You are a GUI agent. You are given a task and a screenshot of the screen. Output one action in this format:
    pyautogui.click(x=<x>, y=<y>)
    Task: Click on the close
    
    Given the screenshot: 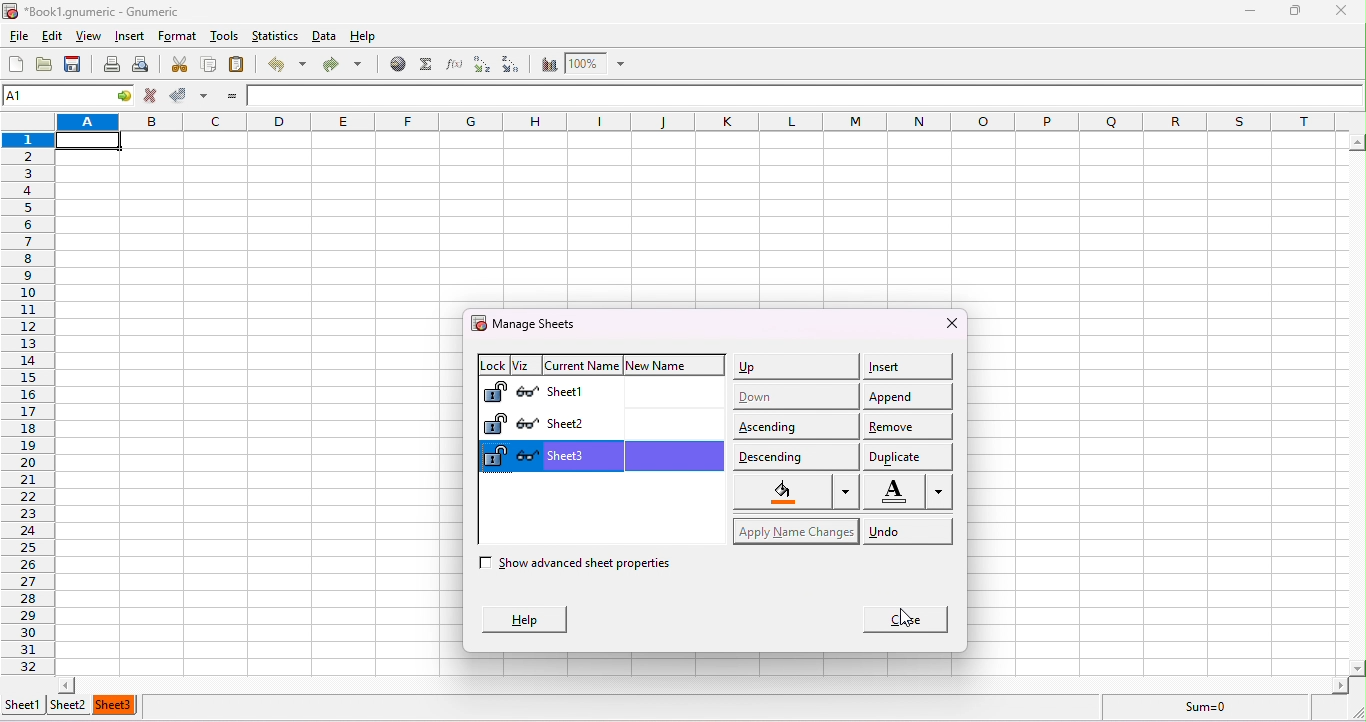 What is the action you would take?
    pyautogui.click(x=934, y=324)
    